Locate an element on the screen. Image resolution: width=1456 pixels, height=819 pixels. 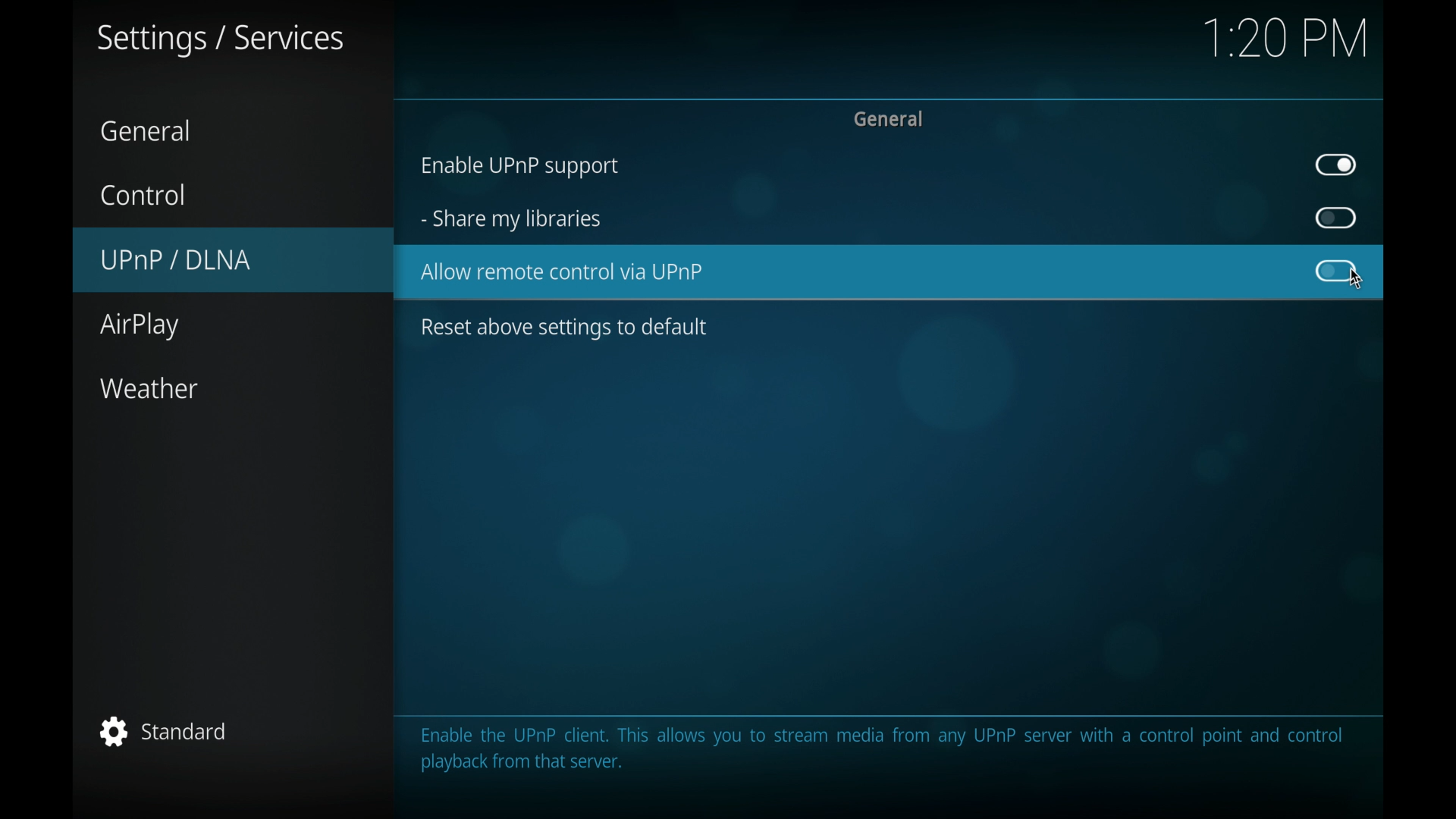
toggle button is located at coordinates (1337, 218).